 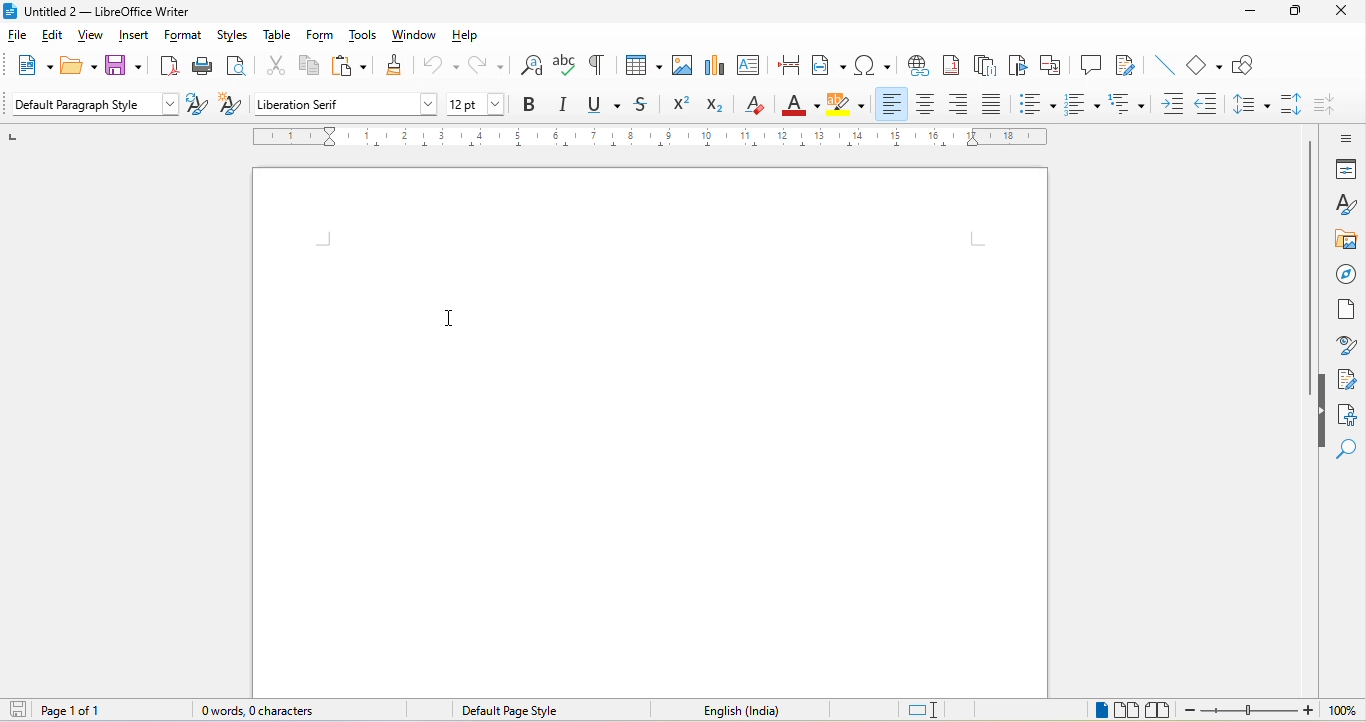 What do you see at coordinates (1339, 136) in the screenshot?
I see `sidebar` at bounding box center [1339, 136].